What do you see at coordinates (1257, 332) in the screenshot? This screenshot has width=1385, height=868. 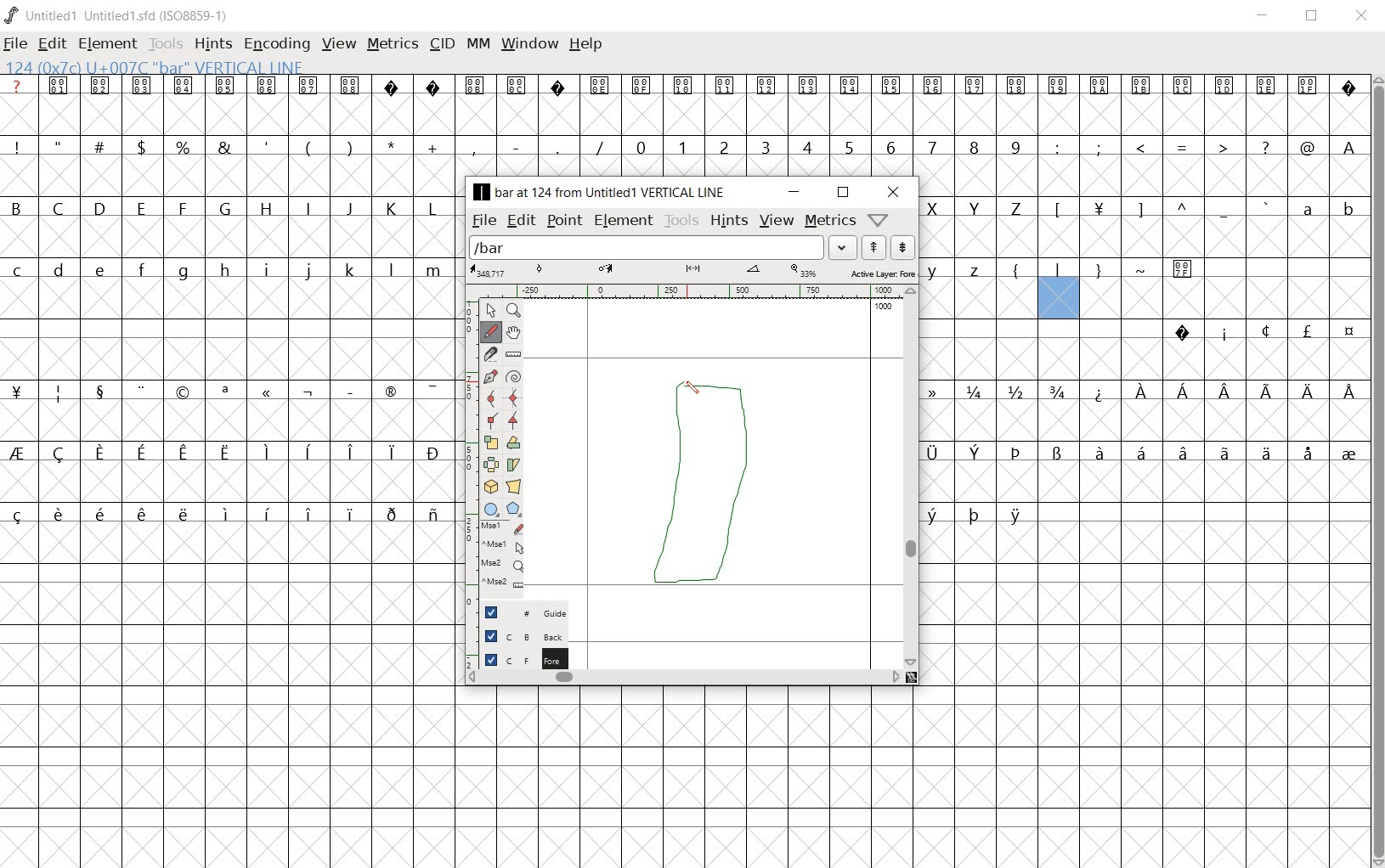 I see `special symbols` at bounding box center [1257, 332].